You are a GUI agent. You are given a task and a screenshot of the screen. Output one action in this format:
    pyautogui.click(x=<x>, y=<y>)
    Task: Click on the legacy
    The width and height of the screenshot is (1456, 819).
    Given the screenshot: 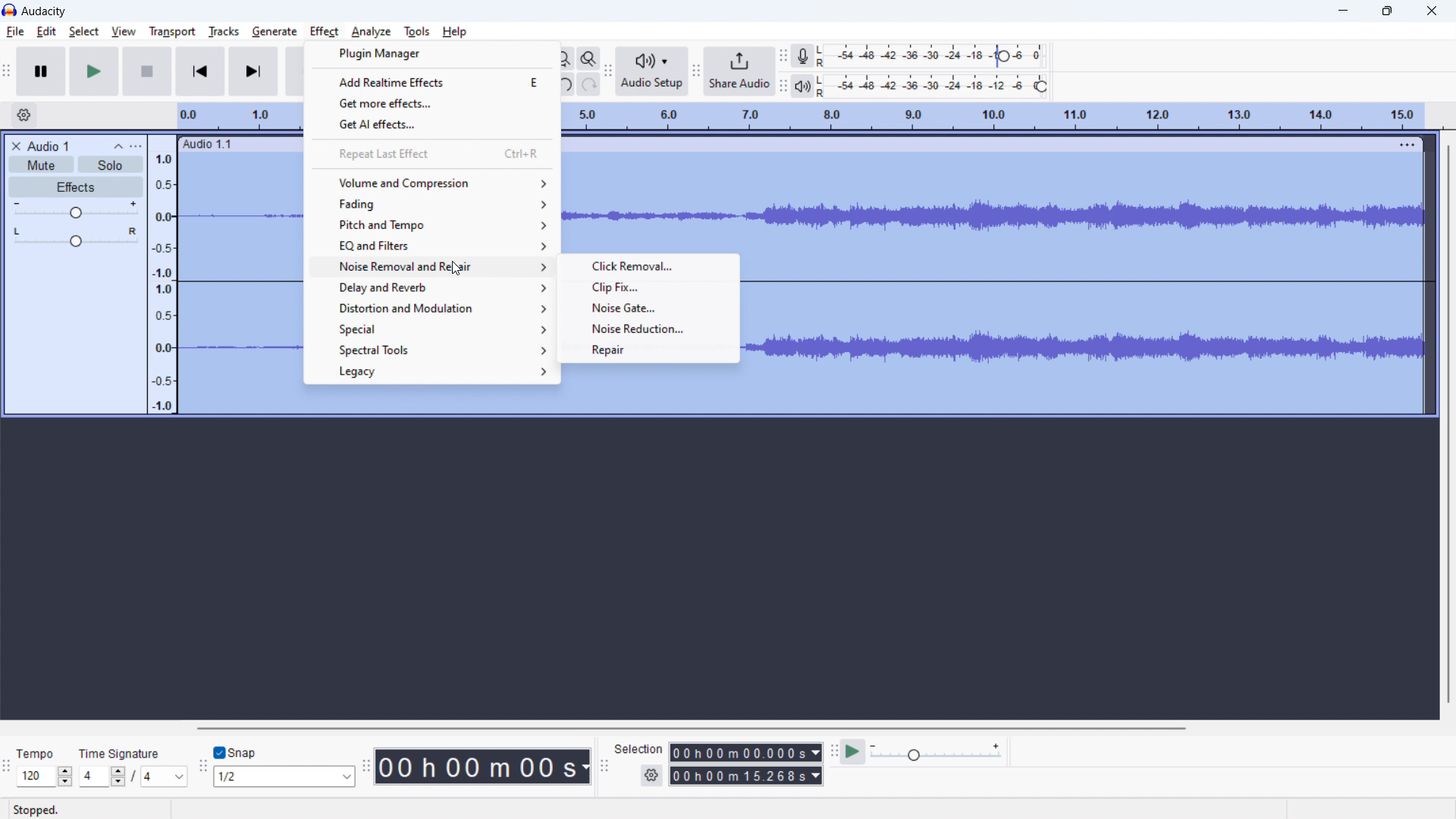 What is the action you would take?
    pyautogui.click(x=428, y=372)
    